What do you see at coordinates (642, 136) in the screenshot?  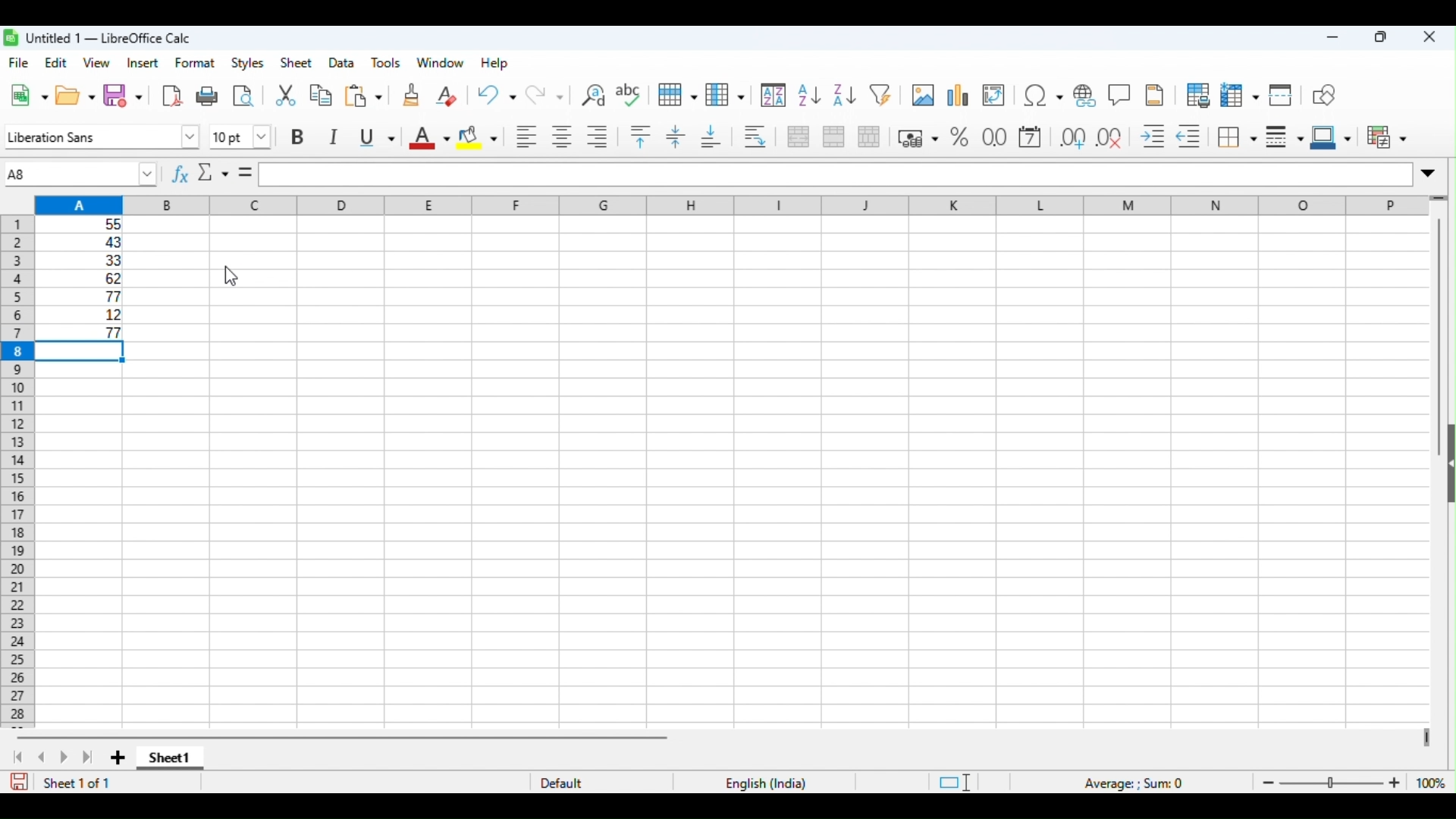 I see `align top` at bounding box center [642, 136].